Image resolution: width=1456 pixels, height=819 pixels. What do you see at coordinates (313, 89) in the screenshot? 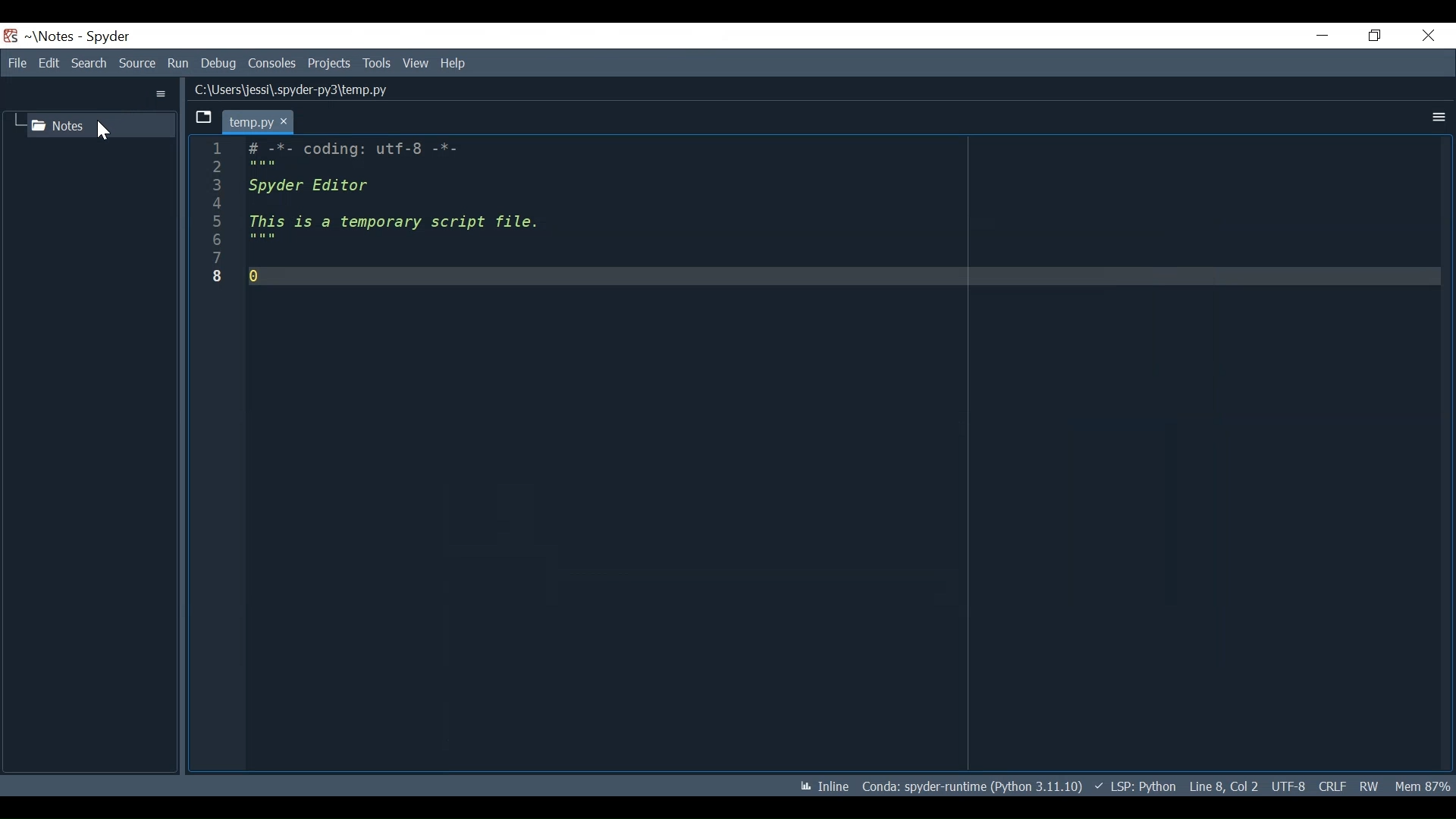
I see `Lliusersyjessi\.spyaer-pys\temp.py` at bounding box center [313, 89].